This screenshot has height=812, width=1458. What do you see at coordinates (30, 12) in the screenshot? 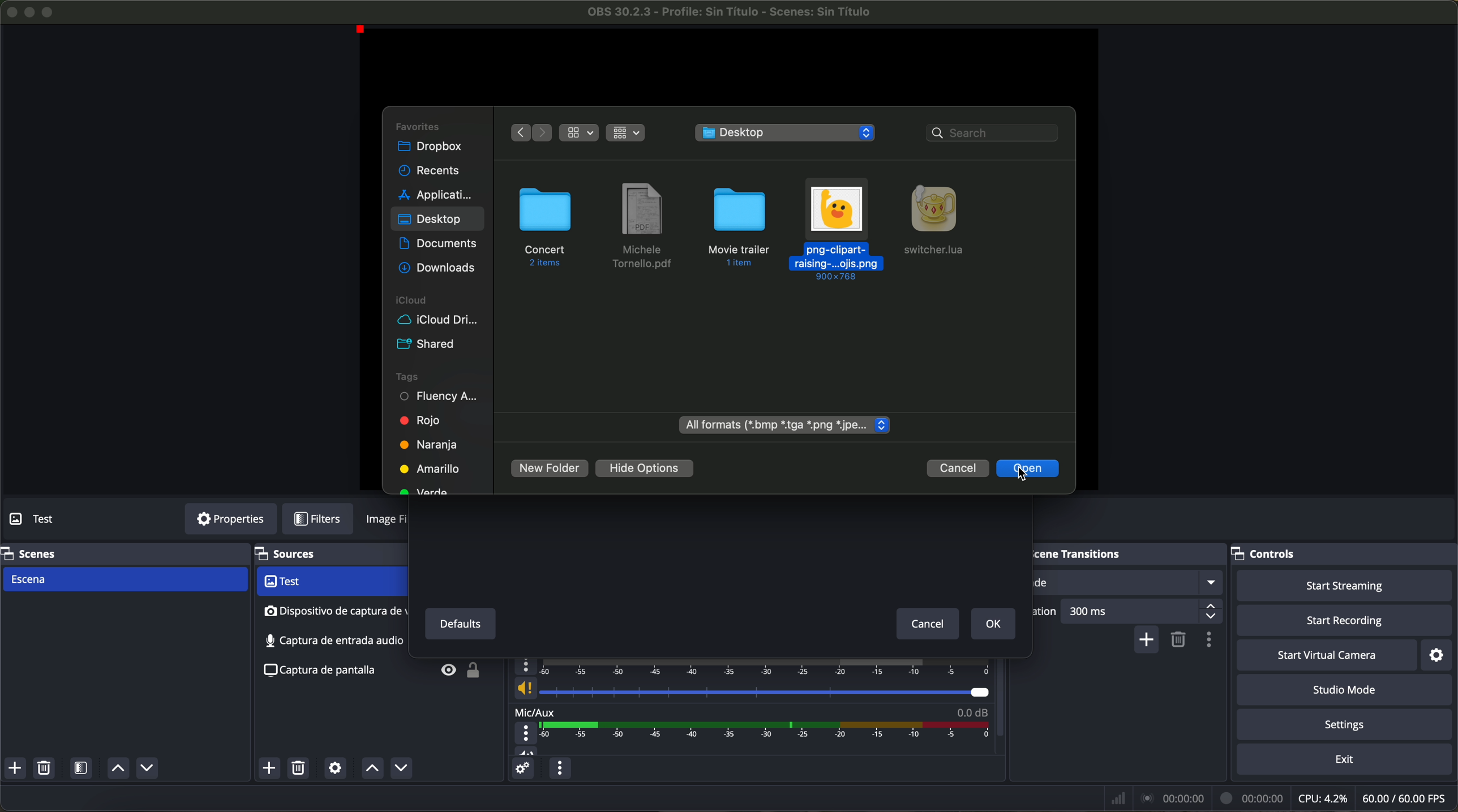
I see `minimize program` at bounding box center [30, 12].